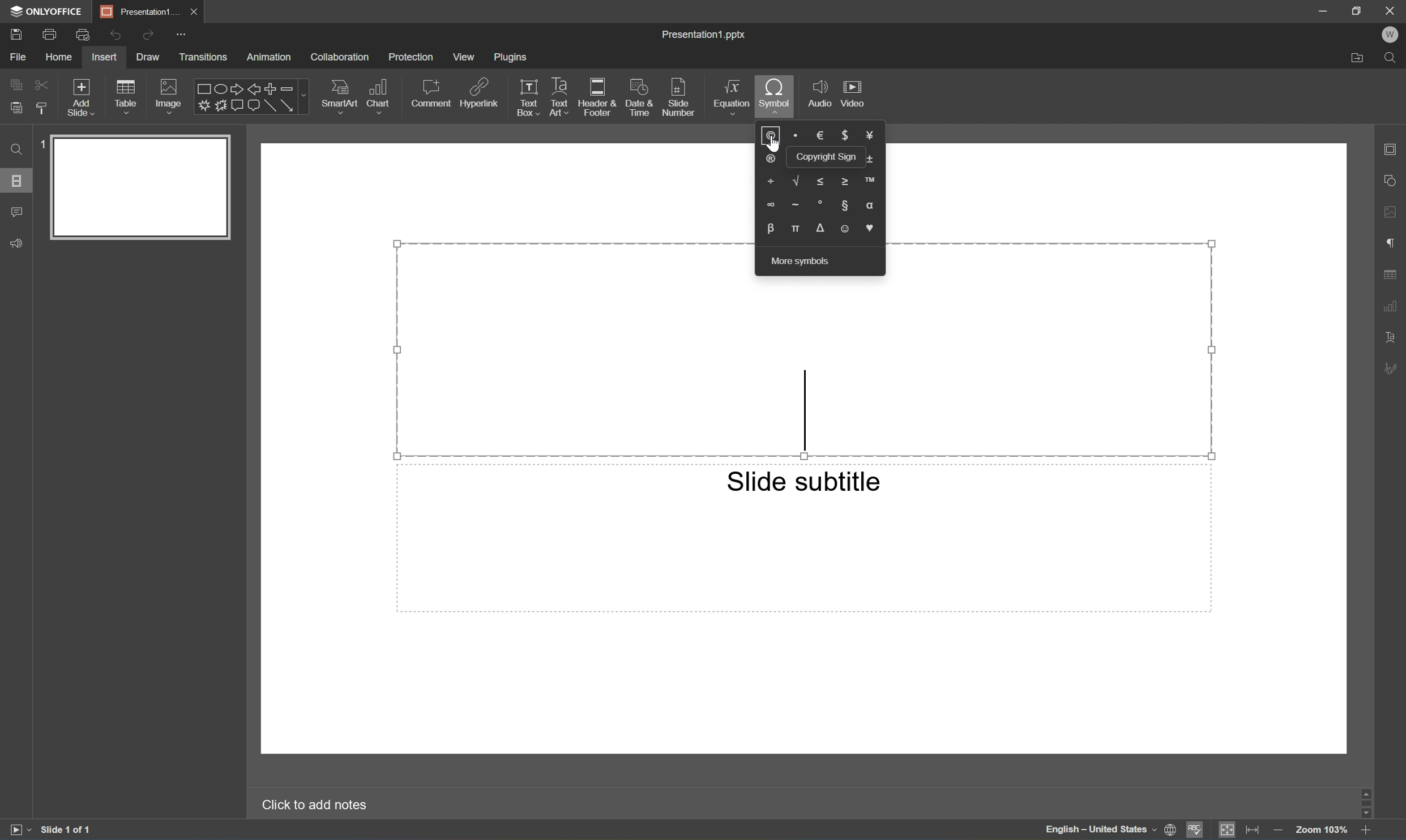 The height and width of the screenshot is (840, 1406). Describe the element at coordinates (481, 92) in the screenshot. I see `Hyperlink` at that location.